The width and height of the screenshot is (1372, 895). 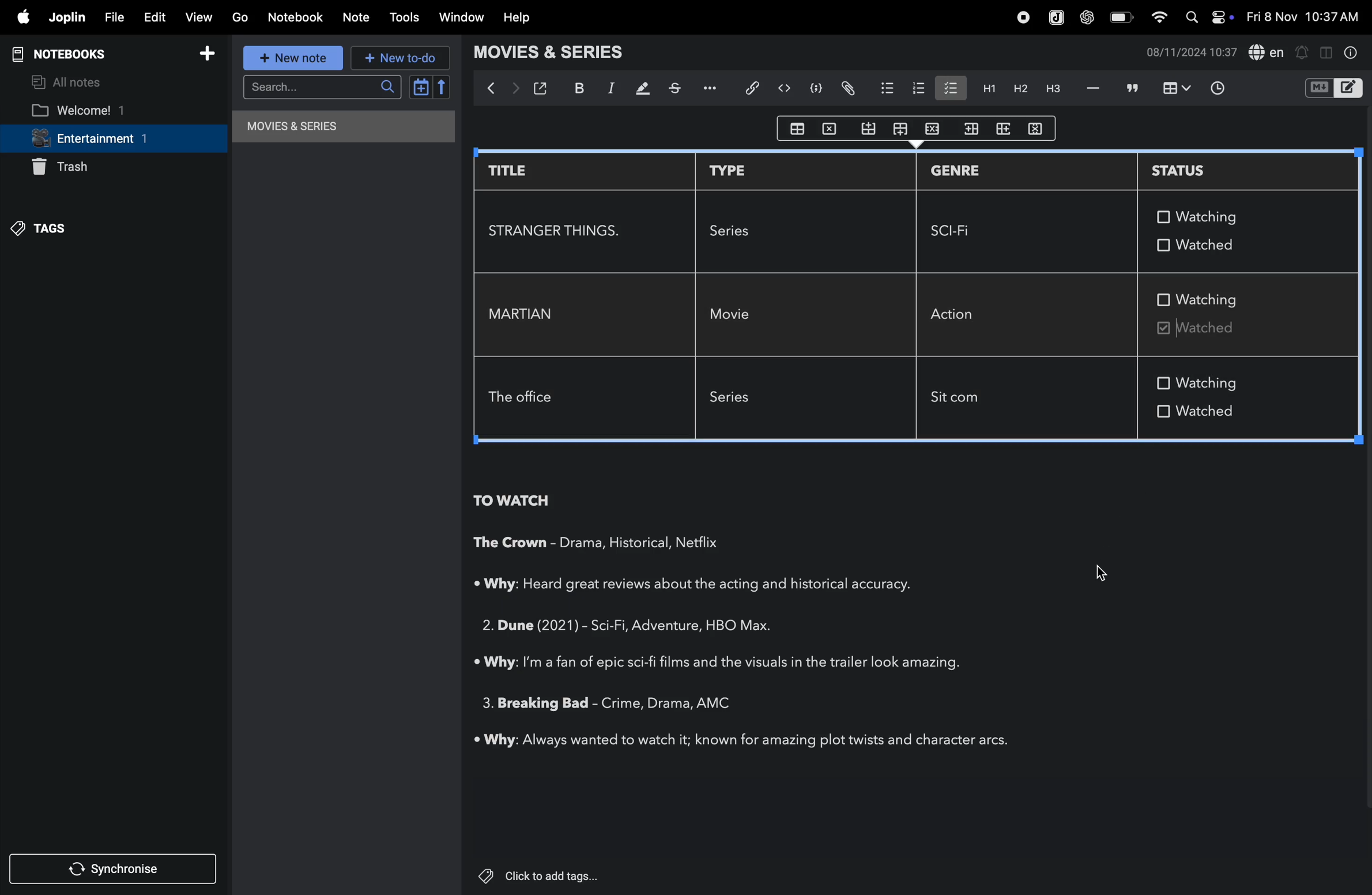 I want to click on cast on, so click(x=721, y=702).